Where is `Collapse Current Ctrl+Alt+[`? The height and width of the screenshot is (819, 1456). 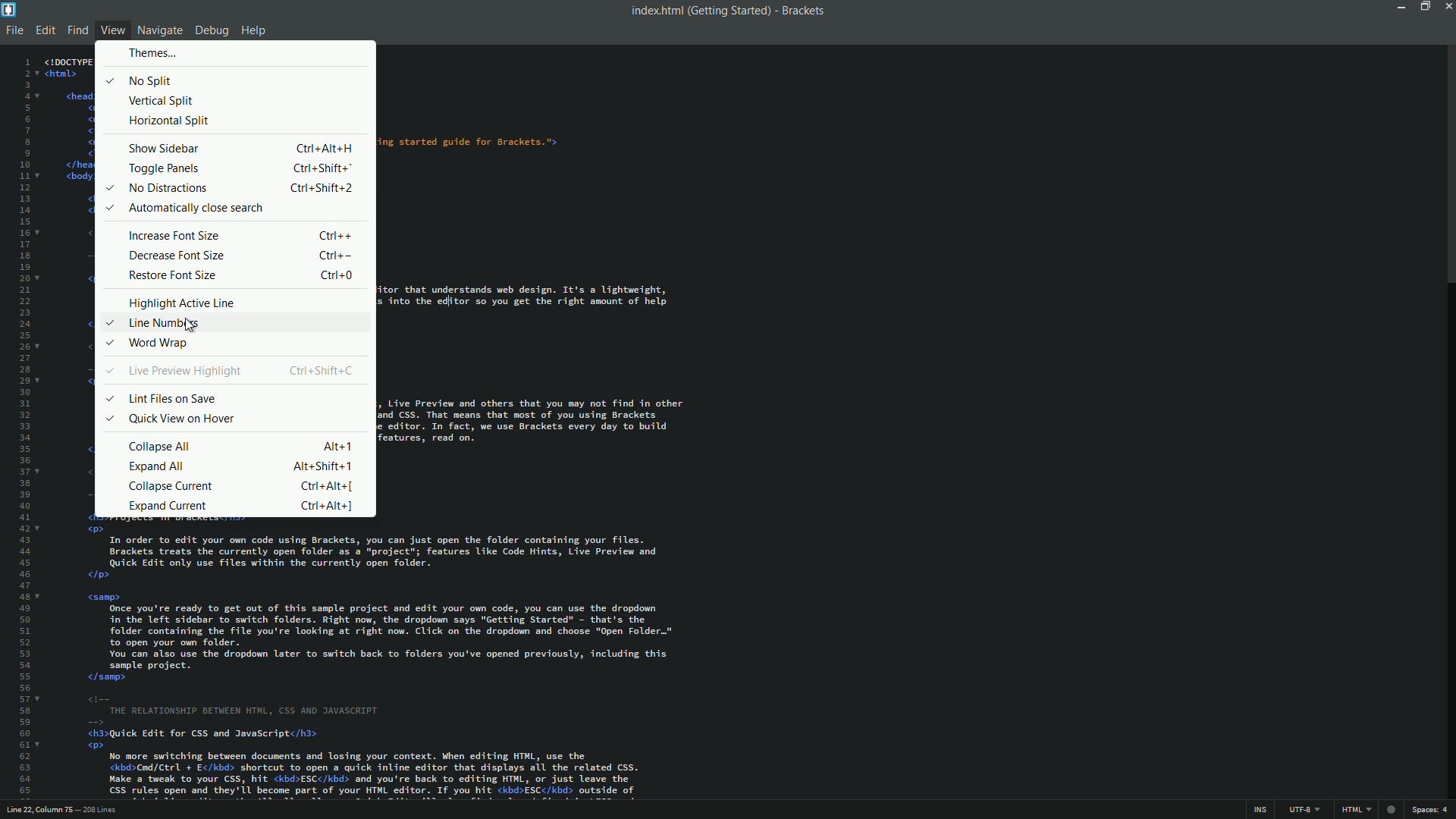
Collapse Current Ctrl+Alt+[ is located at coordinates (242, 485).